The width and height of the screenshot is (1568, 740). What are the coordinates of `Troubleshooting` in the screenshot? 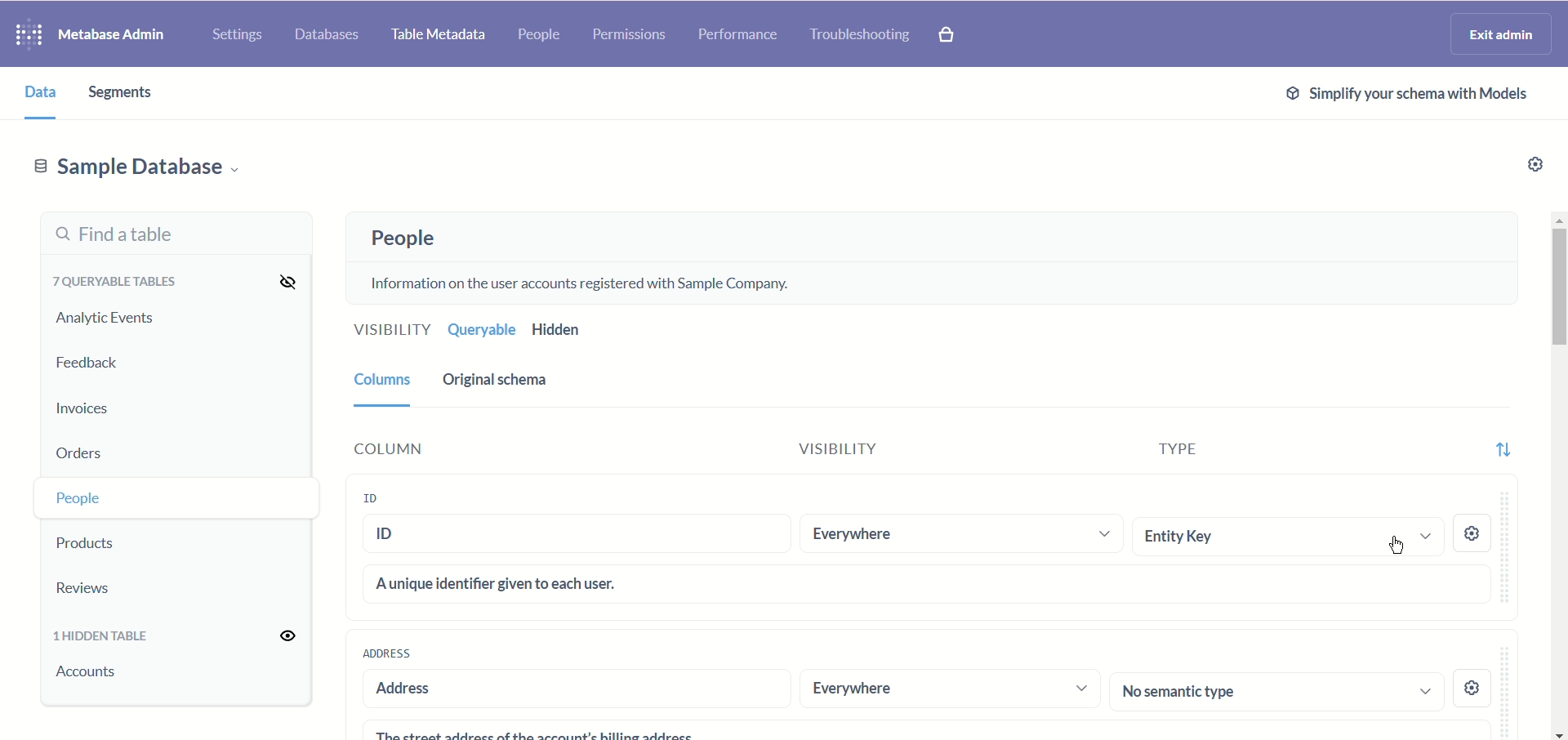 It's located at (860, 33).